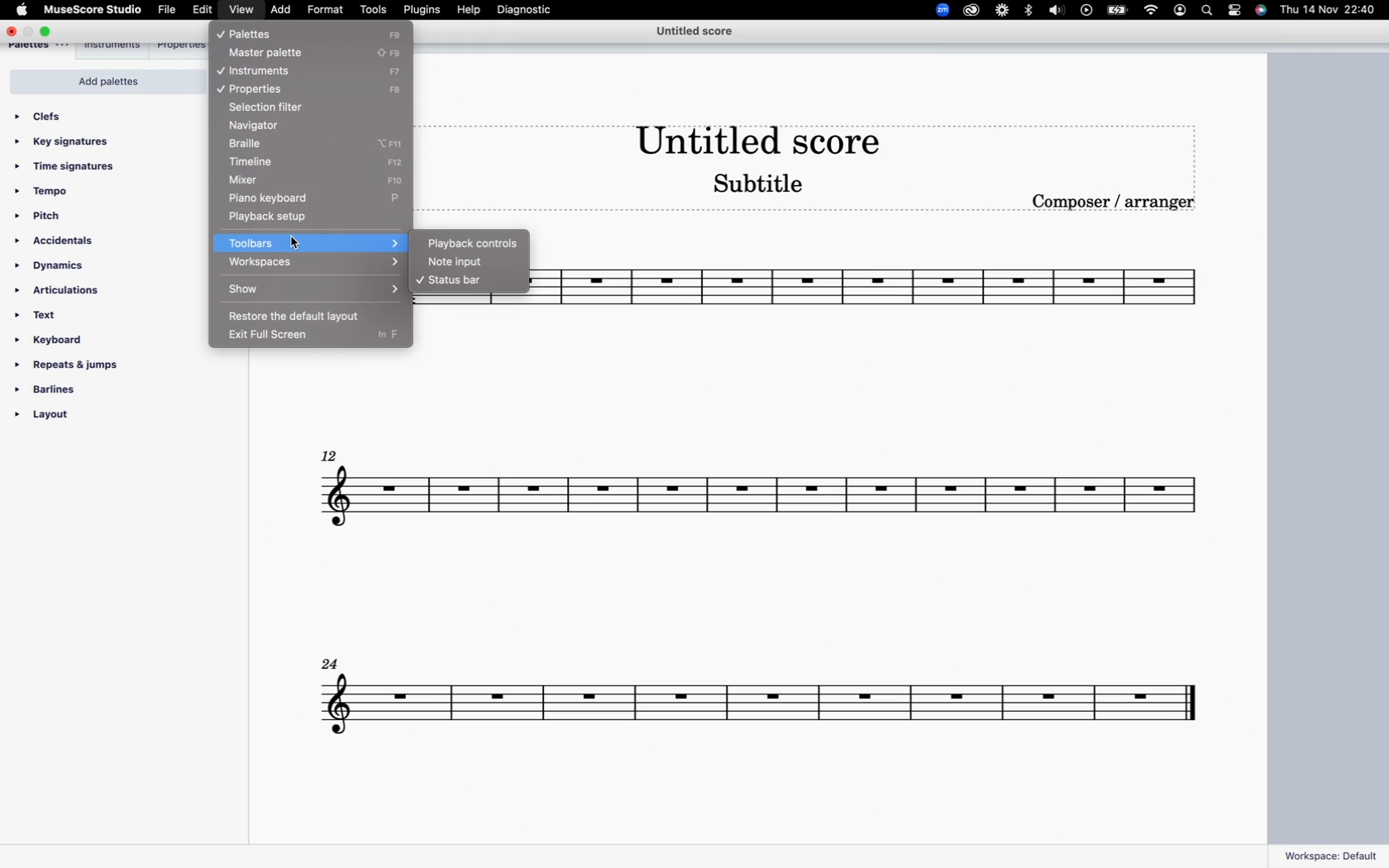  What do you see at coordinates (1329, 11) in the screenshot?
I see `date and time` at bounding box center [1329, 11].